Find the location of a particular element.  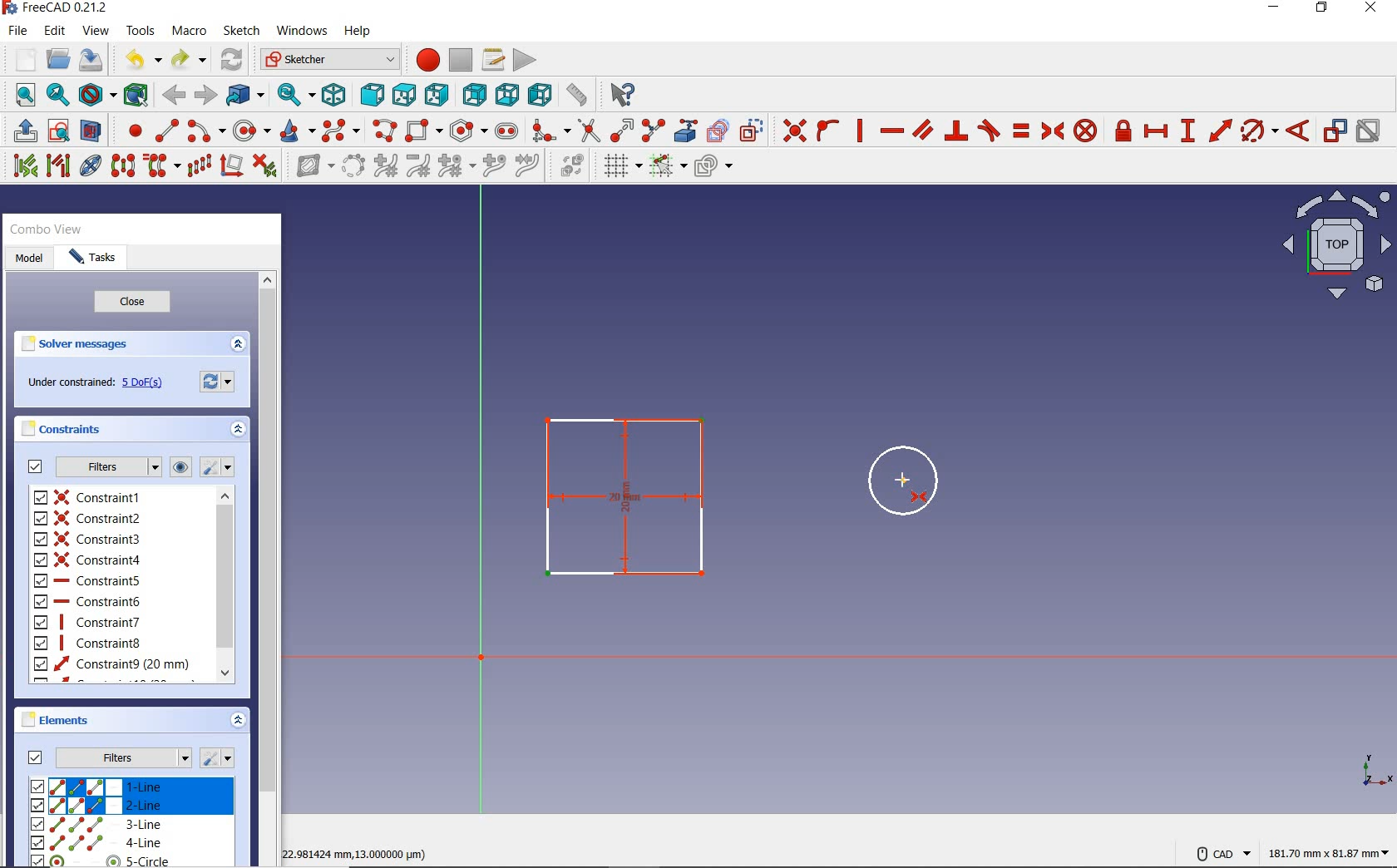

toggle grid is located at coordinates (619, 167).